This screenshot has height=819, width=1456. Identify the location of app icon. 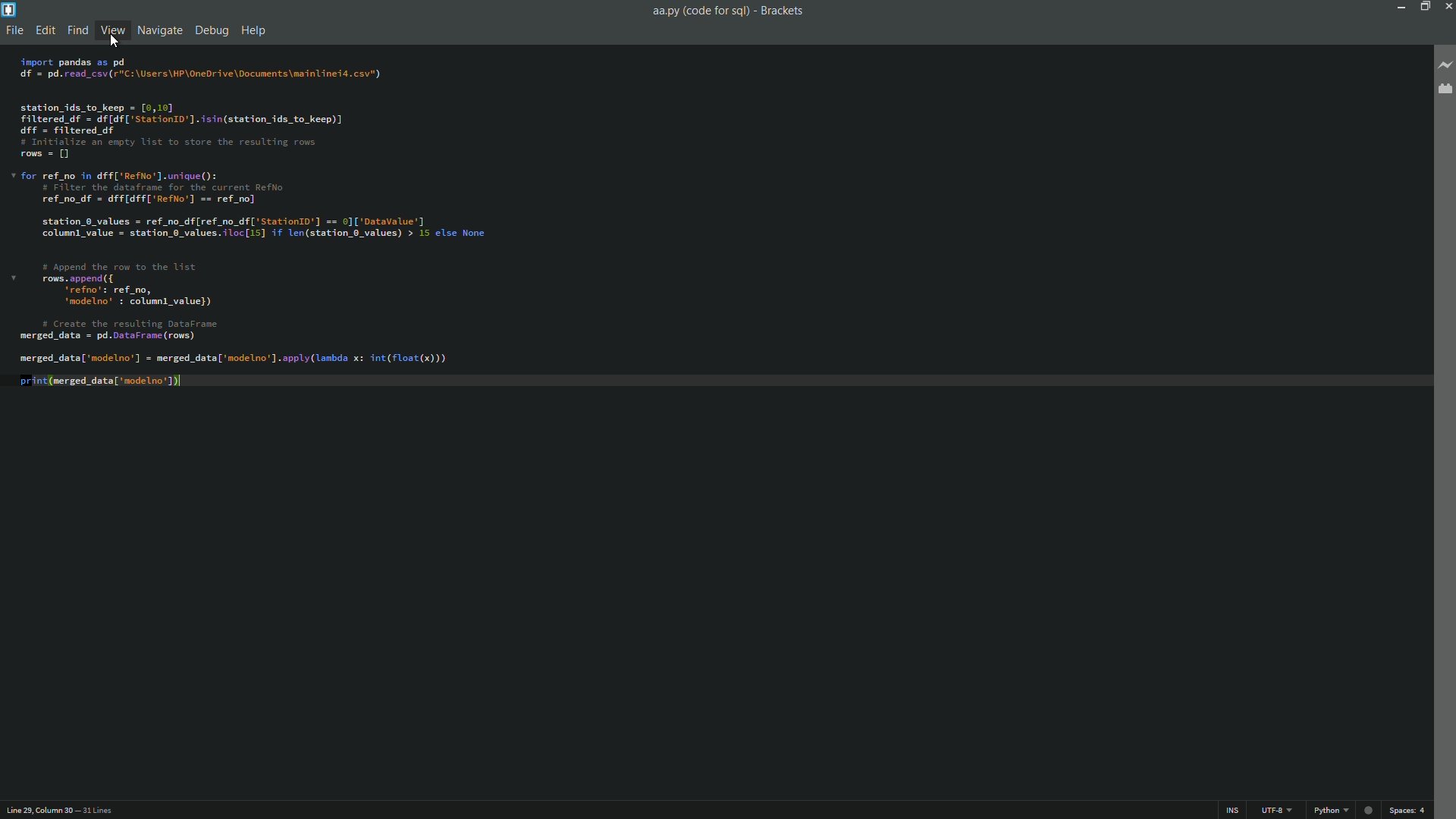
(9, 9).